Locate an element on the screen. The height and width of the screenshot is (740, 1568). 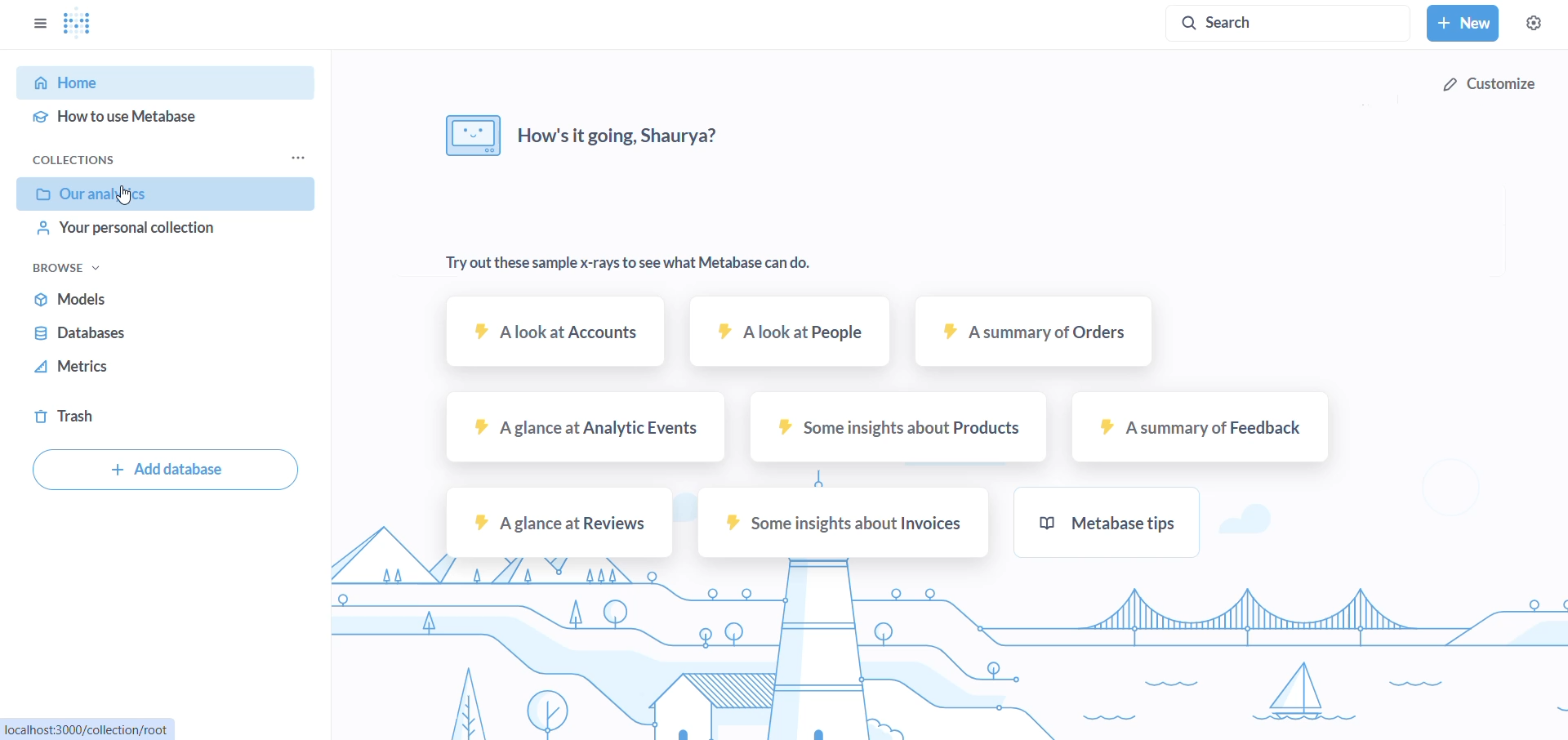
How's it going, Shaurya? is located at coordinates (596, 139).